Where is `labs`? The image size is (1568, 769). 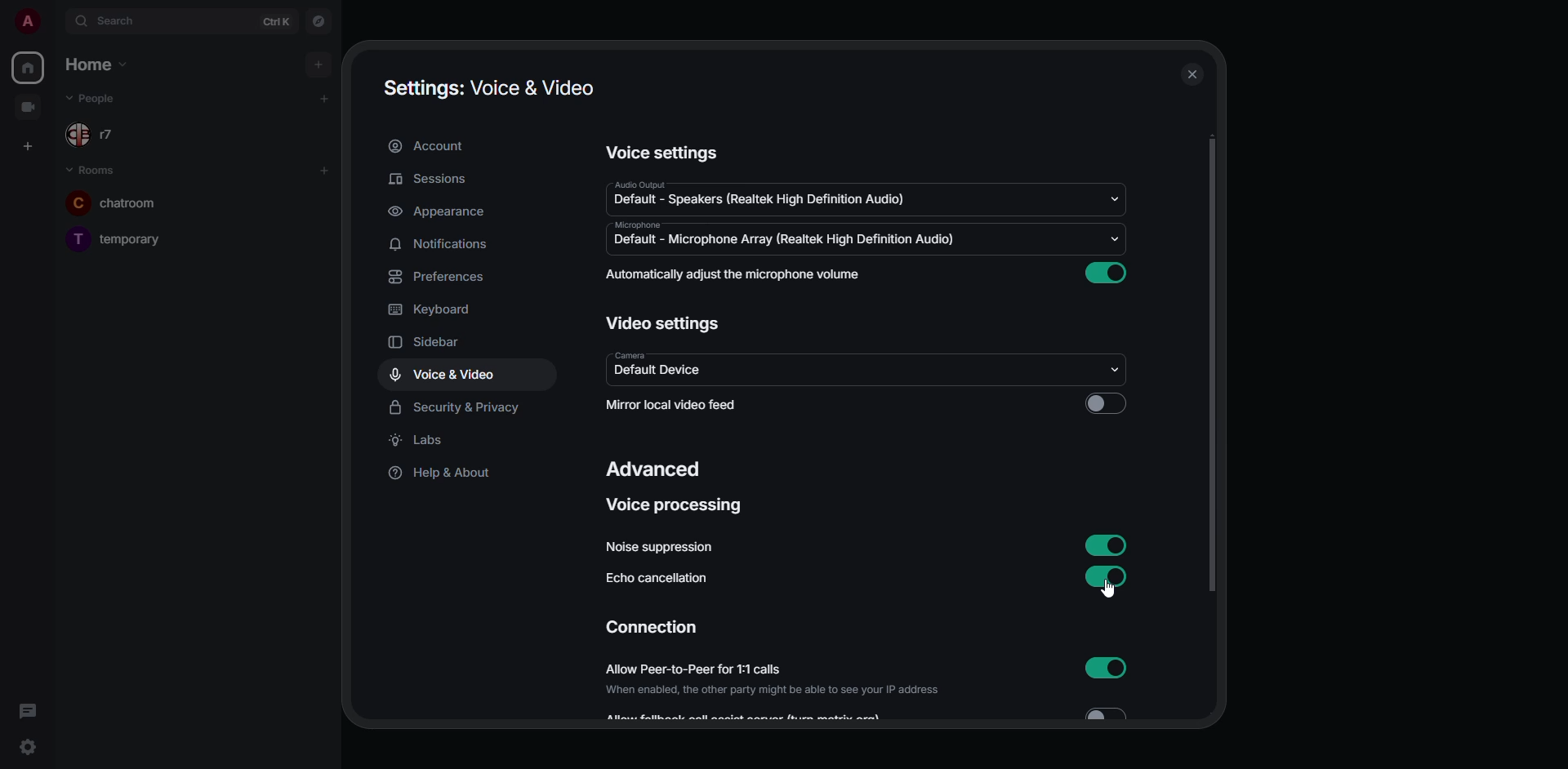 labs is located at coordinates (421, 442).